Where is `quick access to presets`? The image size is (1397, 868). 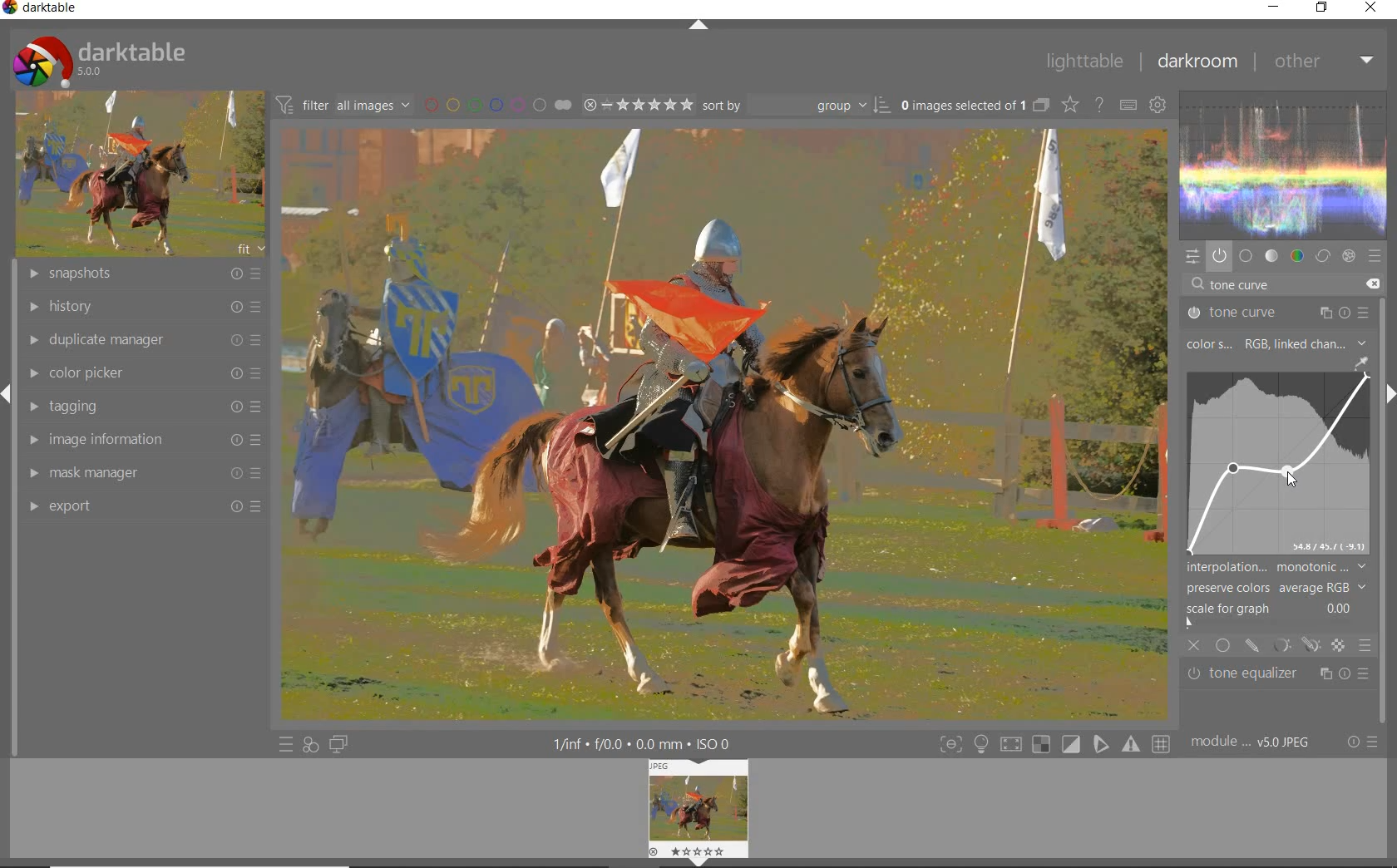 quick access to presets is located at coordinates (286, 745).